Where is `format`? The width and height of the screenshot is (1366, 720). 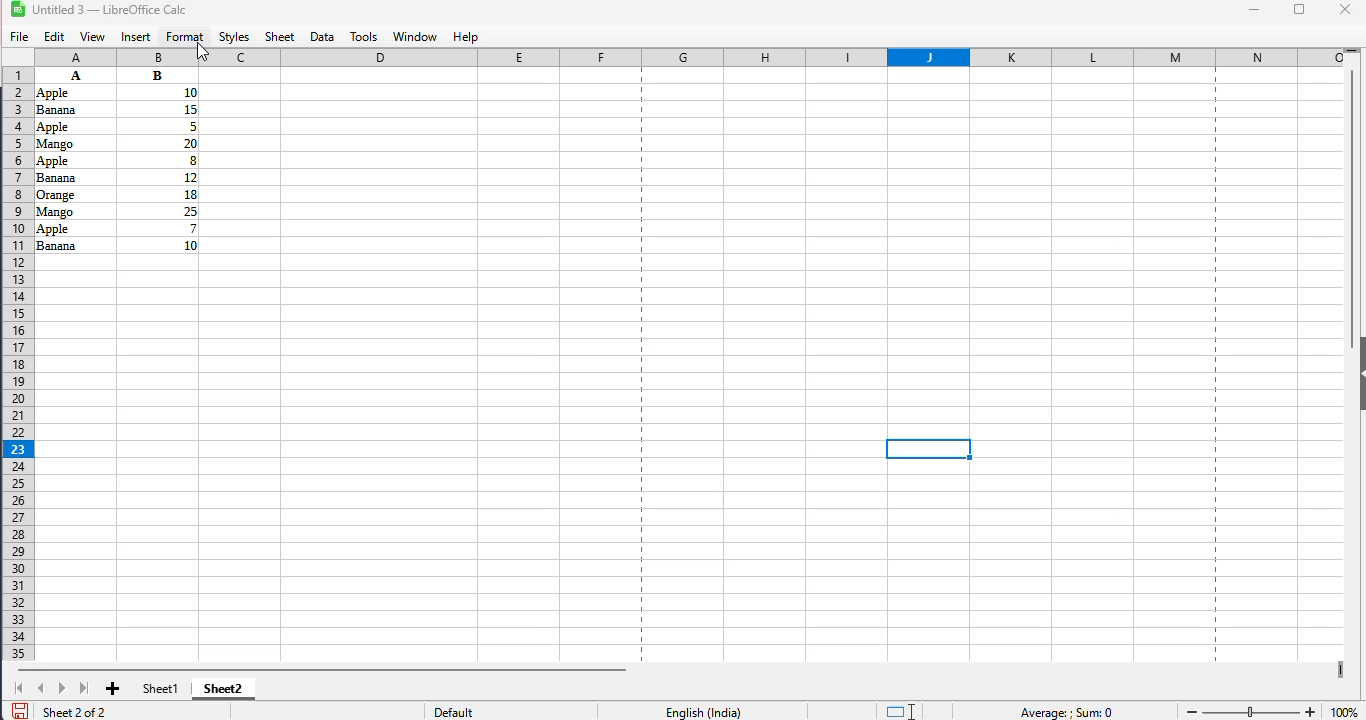 format is located at coordinates (185, 37).